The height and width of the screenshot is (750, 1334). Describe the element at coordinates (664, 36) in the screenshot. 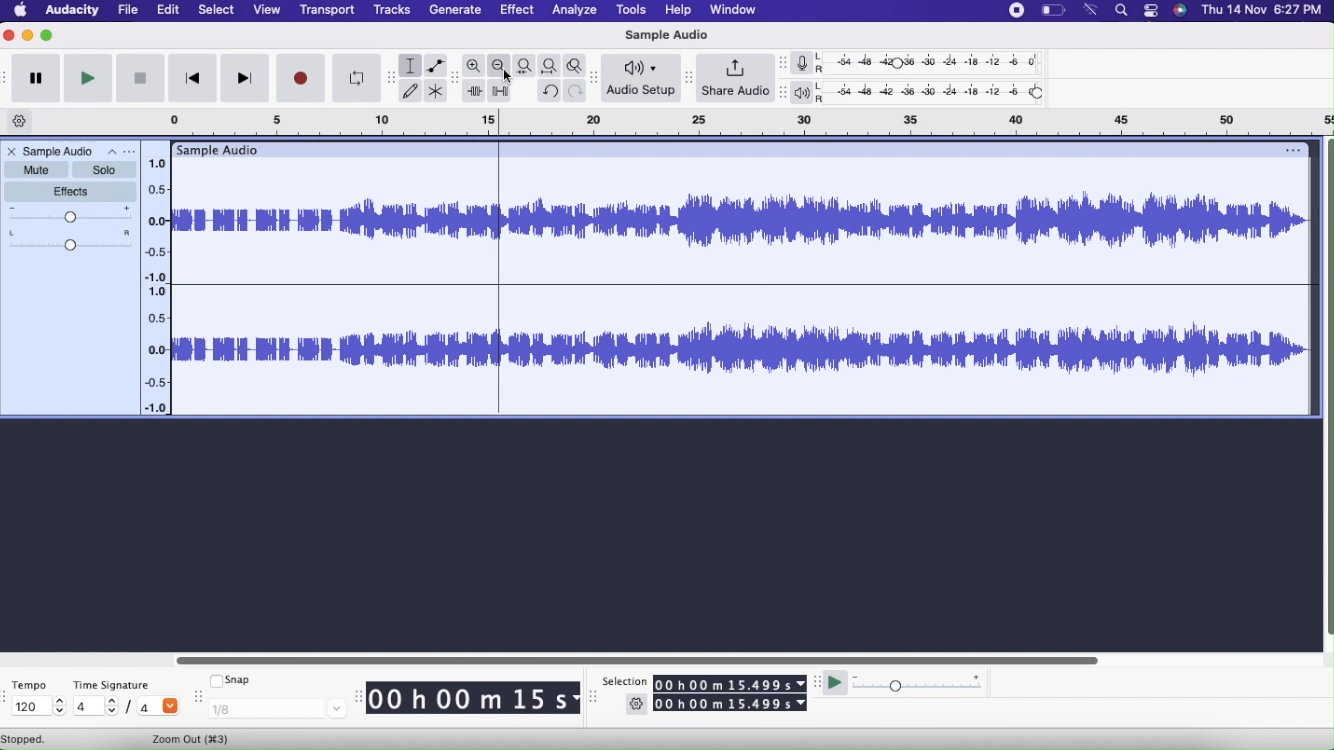

I see `Sample Audio` at that location.